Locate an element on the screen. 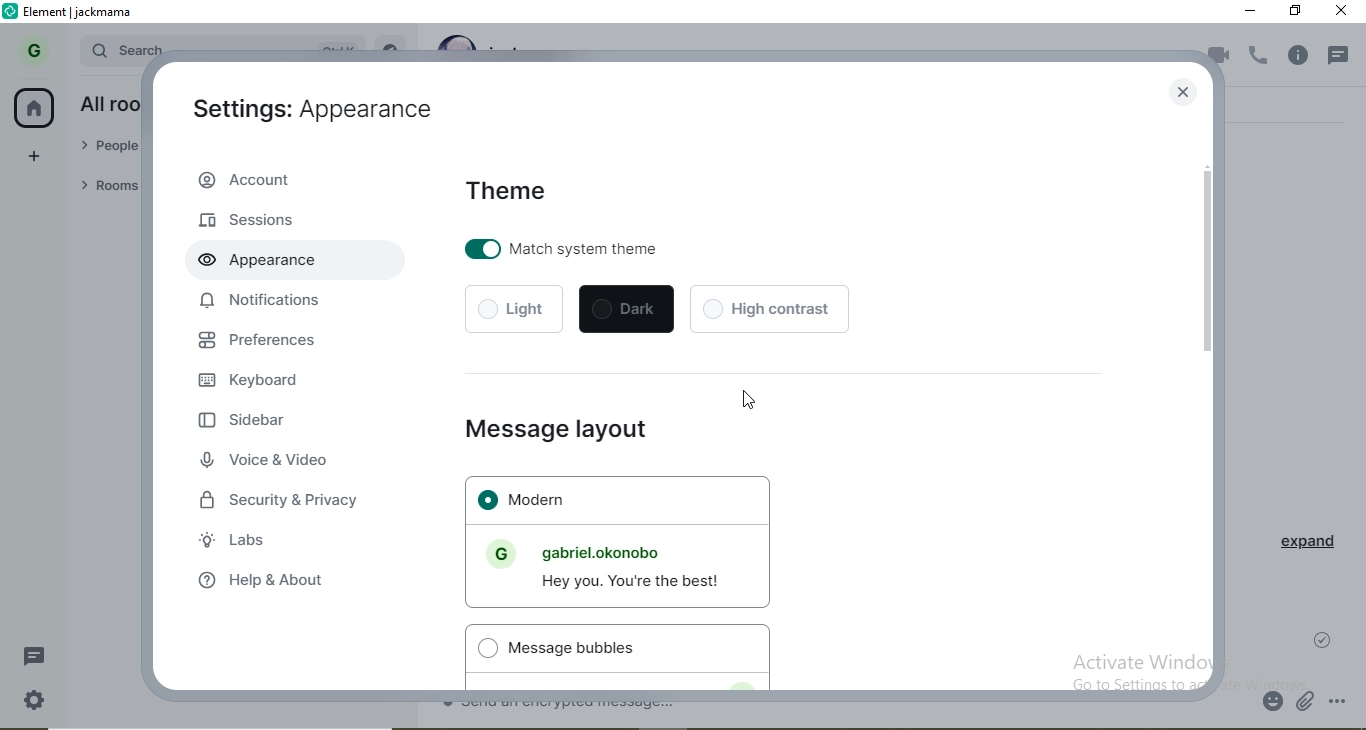 The height and width of the screenshot is (730, 1366). restore is located at coordinates (1297, 11).